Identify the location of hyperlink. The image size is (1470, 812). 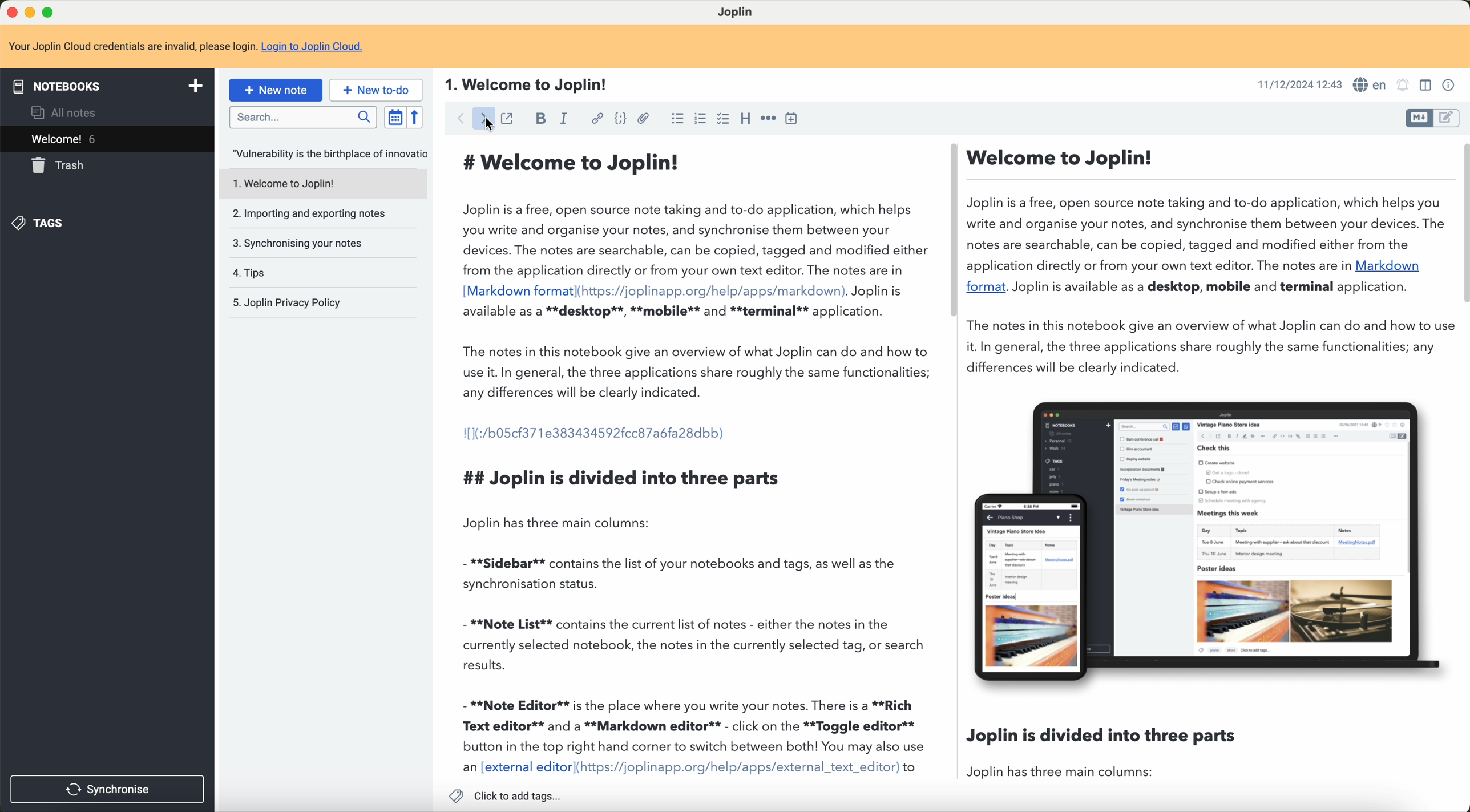
(593, 118).